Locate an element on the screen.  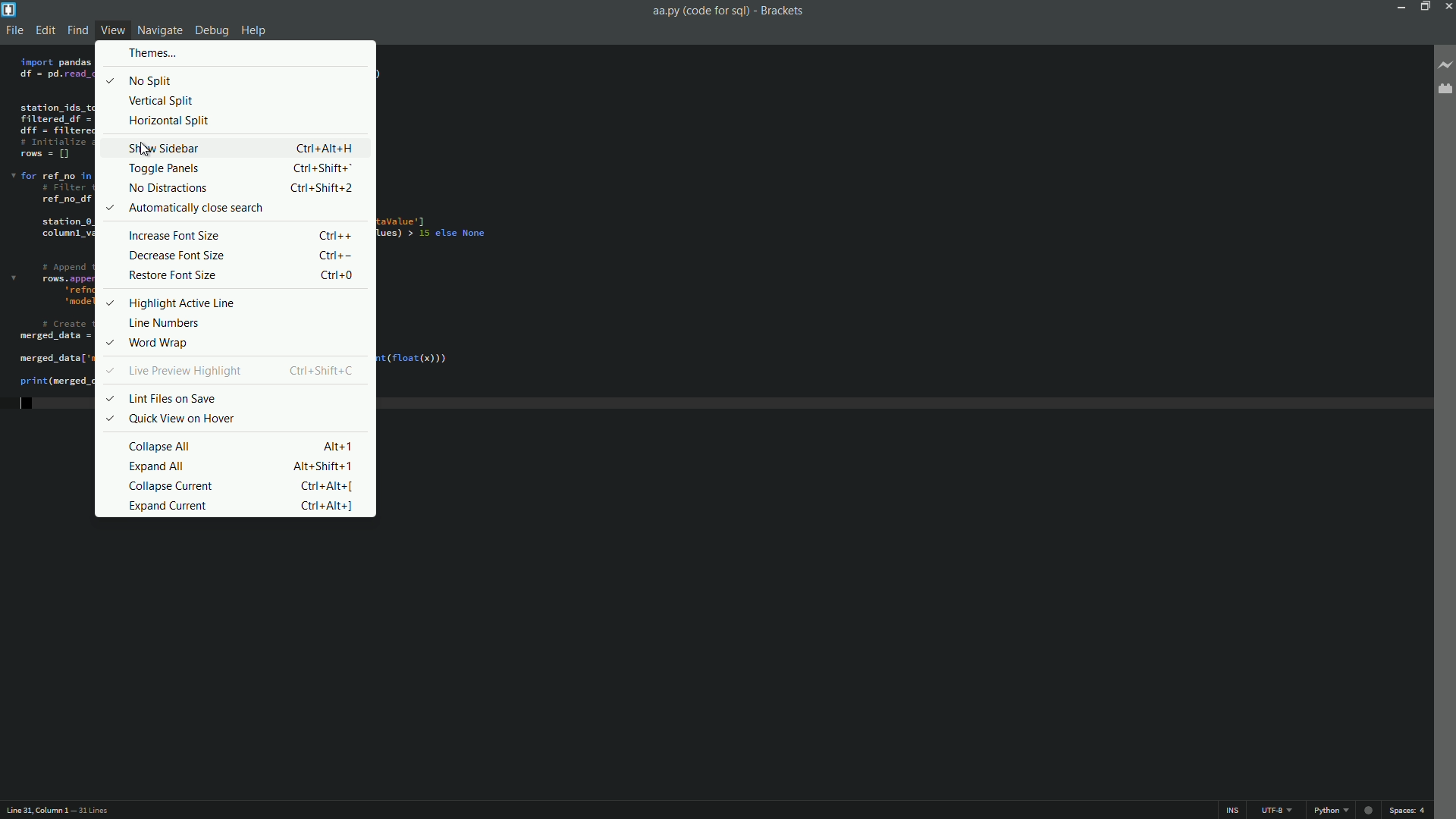
aa.py (code for sq) - Brackets is located at coordinates (729, 13).